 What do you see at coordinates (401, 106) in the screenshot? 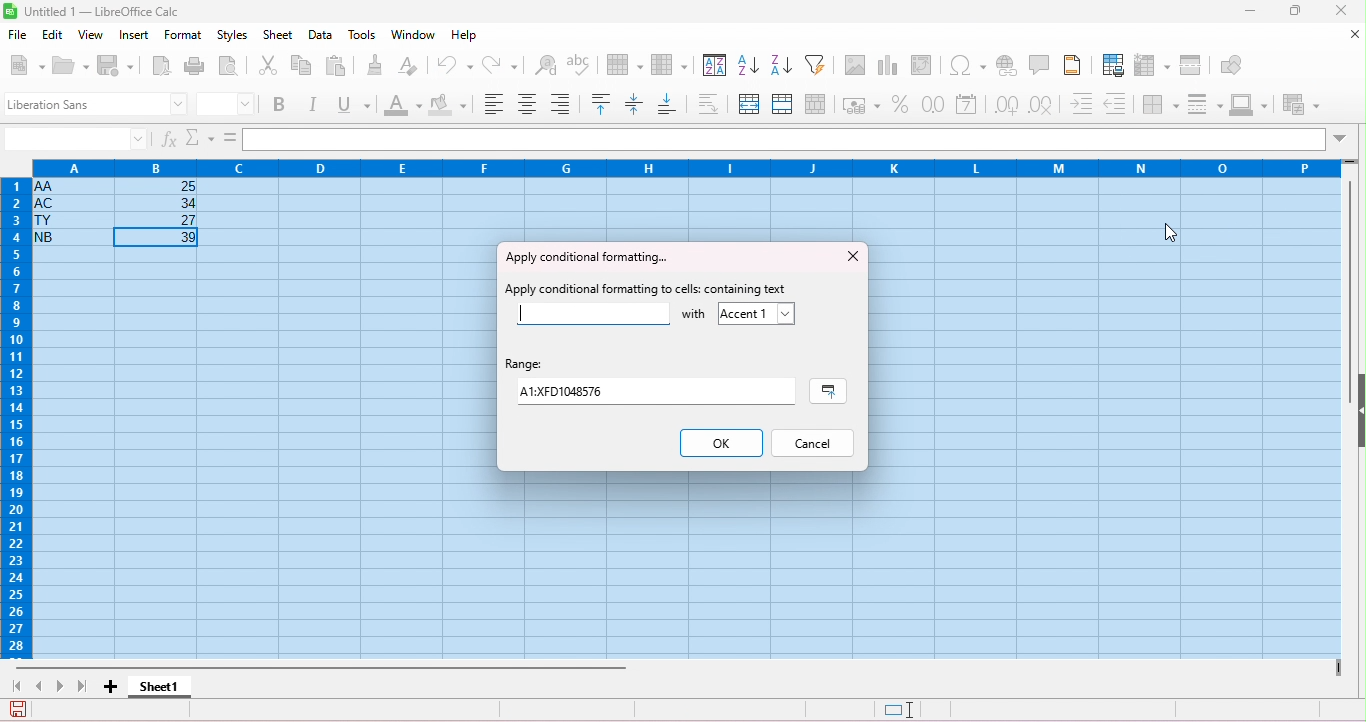
I see `font color` at bounding box center [401, 106].